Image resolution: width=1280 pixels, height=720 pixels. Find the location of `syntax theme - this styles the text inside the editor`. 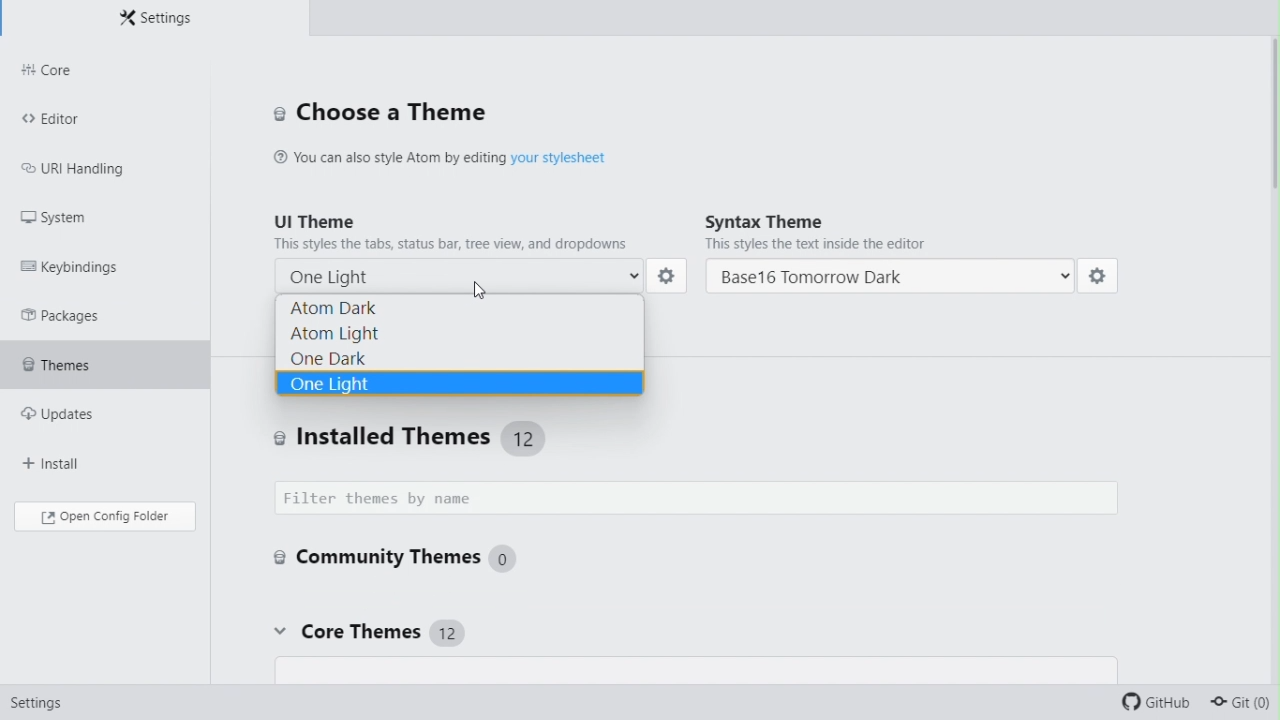

syntax theme - this styles the text inside the editor is located at coordinates (897, 232).